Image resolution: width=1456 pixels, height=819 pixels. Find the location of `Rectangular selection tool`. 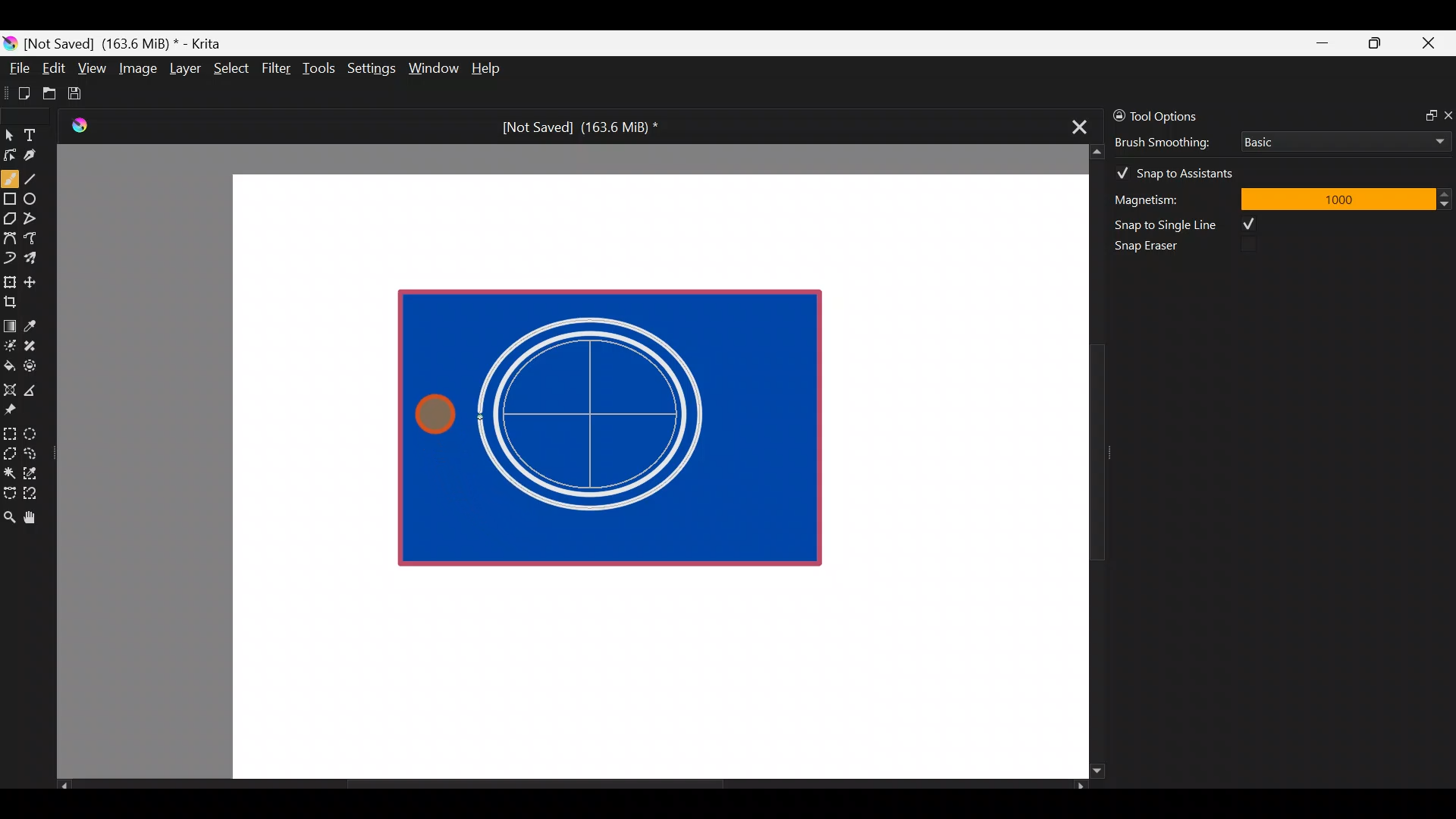

Rectangular selection tool is located at coordinates (13, 431).